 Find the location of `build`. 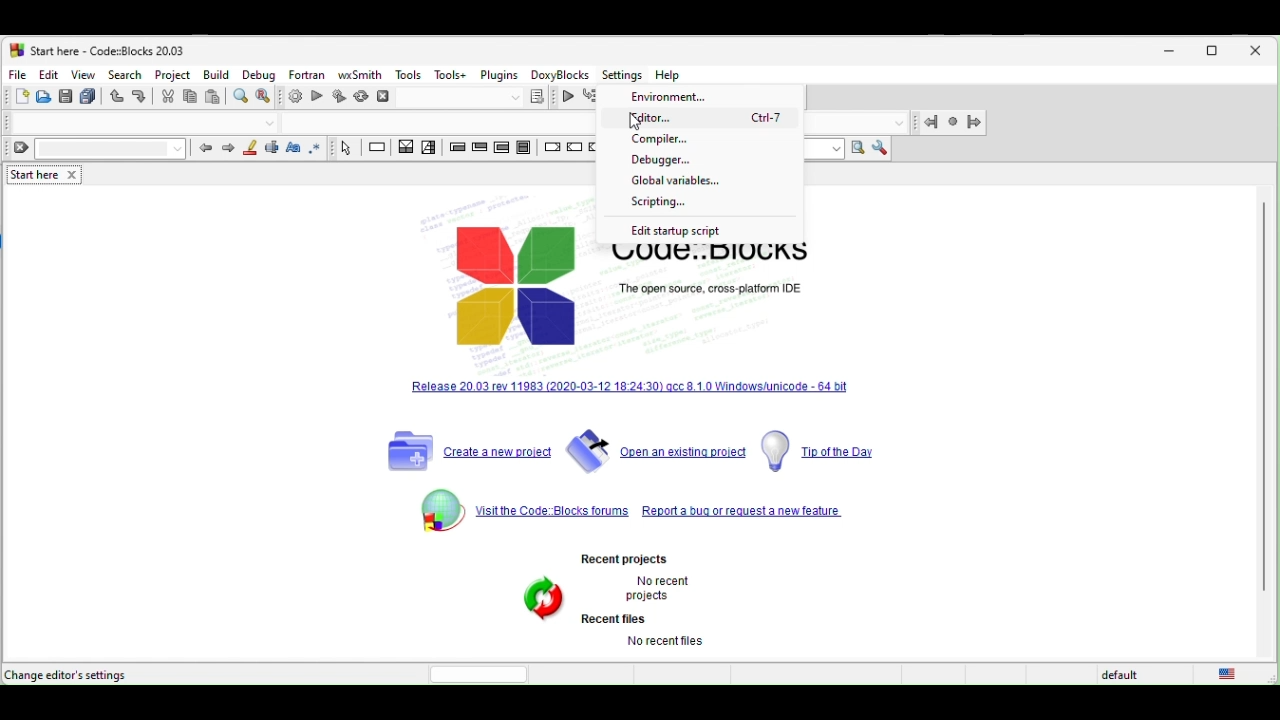

build is located at coordinates (218, 75).